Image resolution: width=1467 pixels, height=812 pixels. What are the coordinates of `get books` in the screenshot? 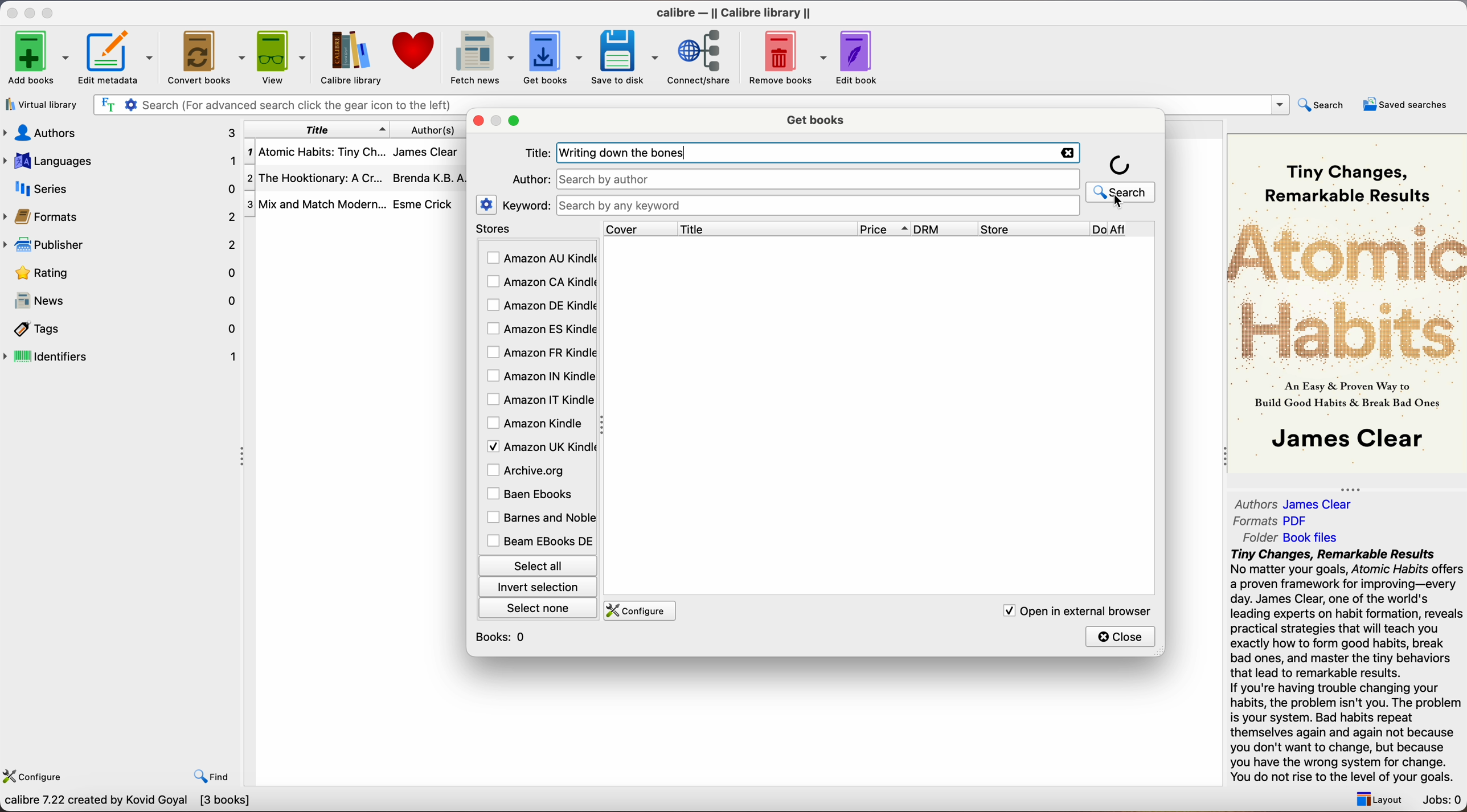 It's located at (818, 118).